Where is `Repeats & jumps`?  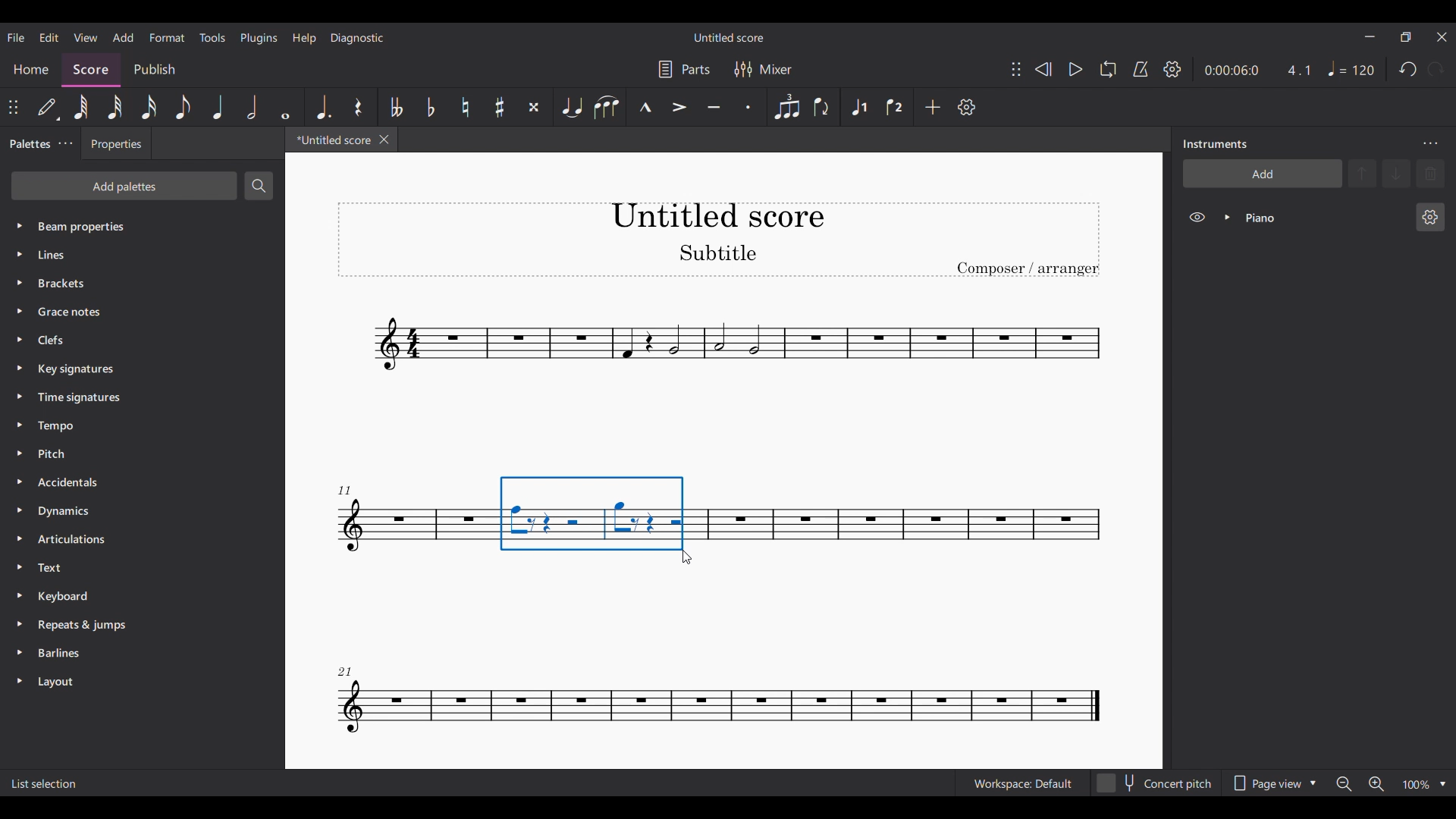
Repeats & jumps is located at coordinates (130, 624).